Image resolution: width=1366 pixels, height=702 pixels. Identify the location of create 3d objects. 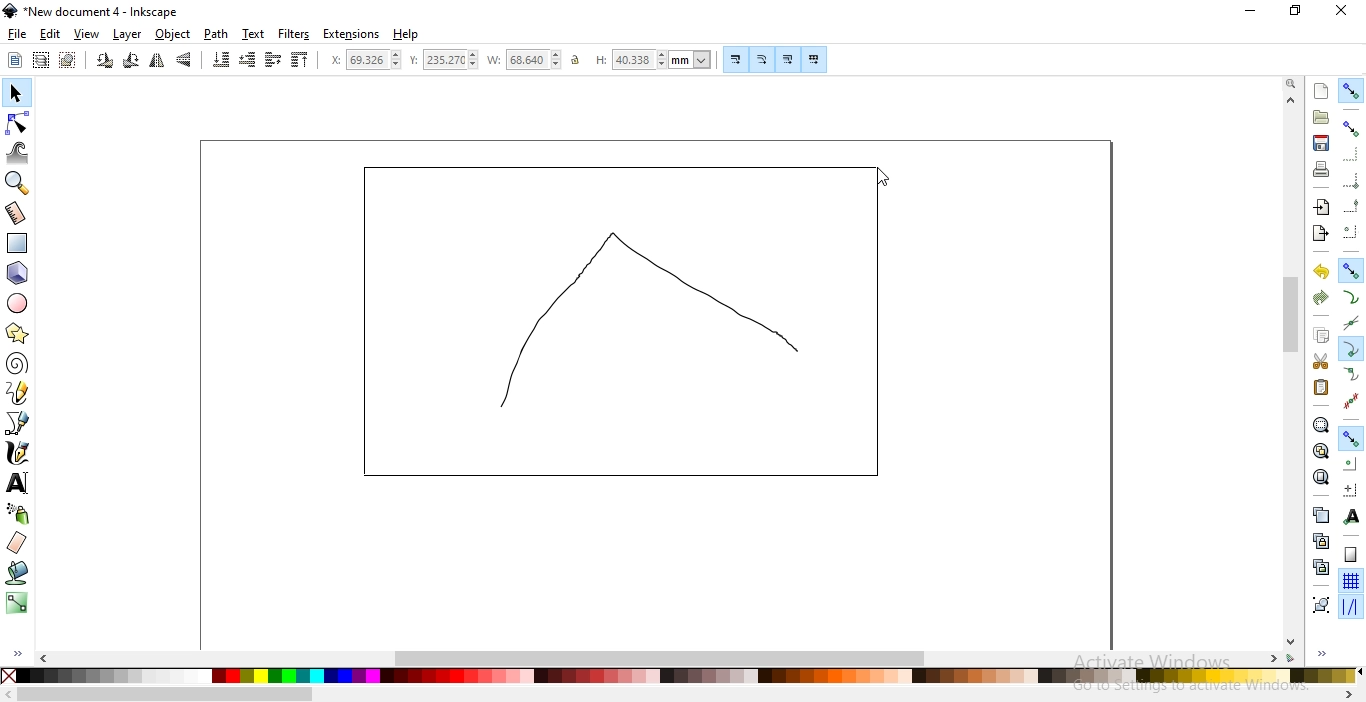
(18, 274).